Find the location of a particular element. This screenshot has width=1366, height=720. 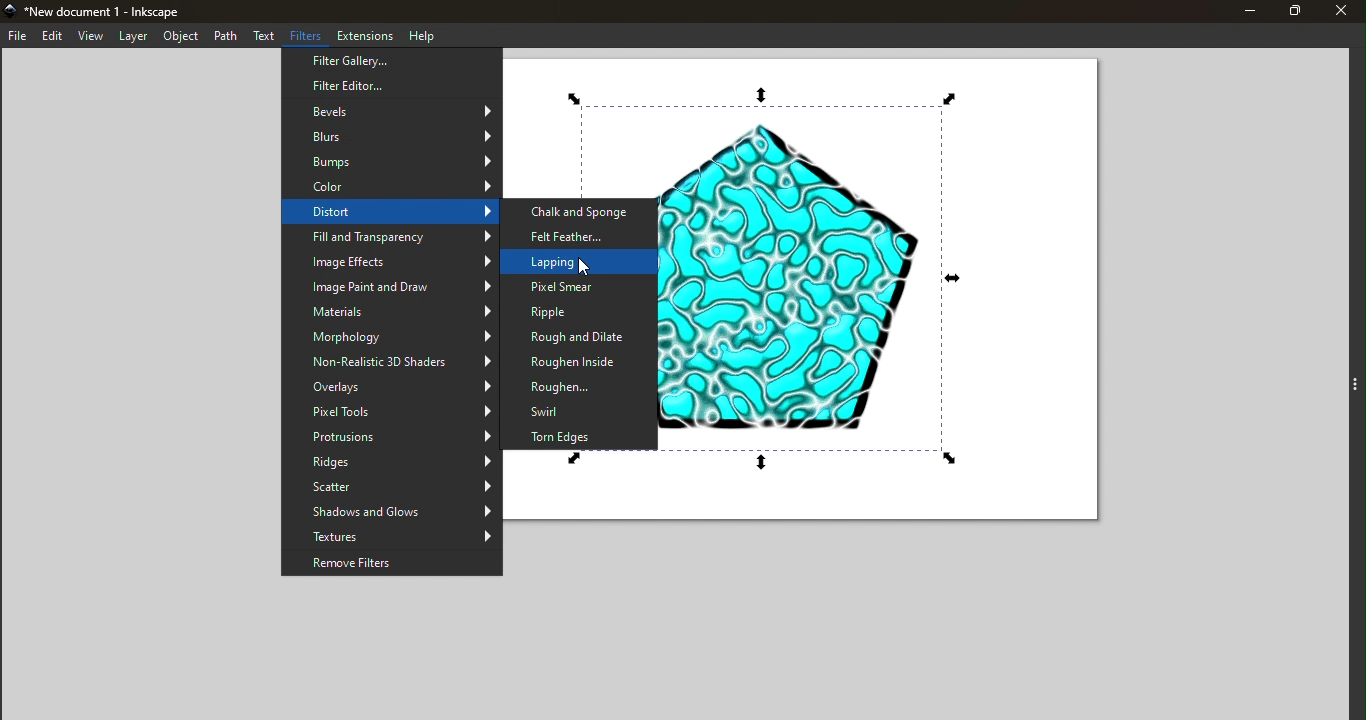

Rough and Dilate is located at coordinates (580, 338).